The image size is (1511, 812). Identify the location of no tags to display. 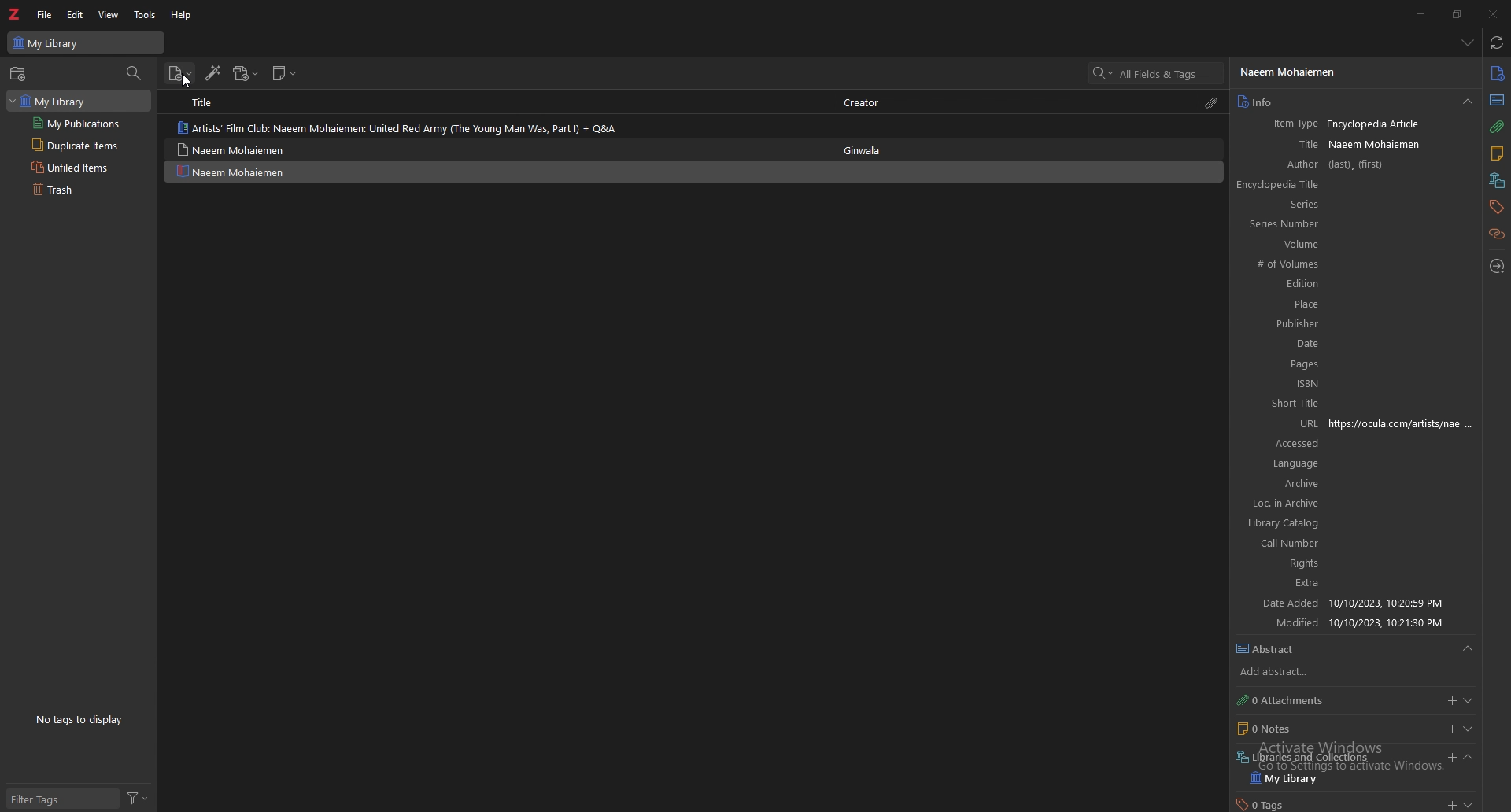
(78, 719).